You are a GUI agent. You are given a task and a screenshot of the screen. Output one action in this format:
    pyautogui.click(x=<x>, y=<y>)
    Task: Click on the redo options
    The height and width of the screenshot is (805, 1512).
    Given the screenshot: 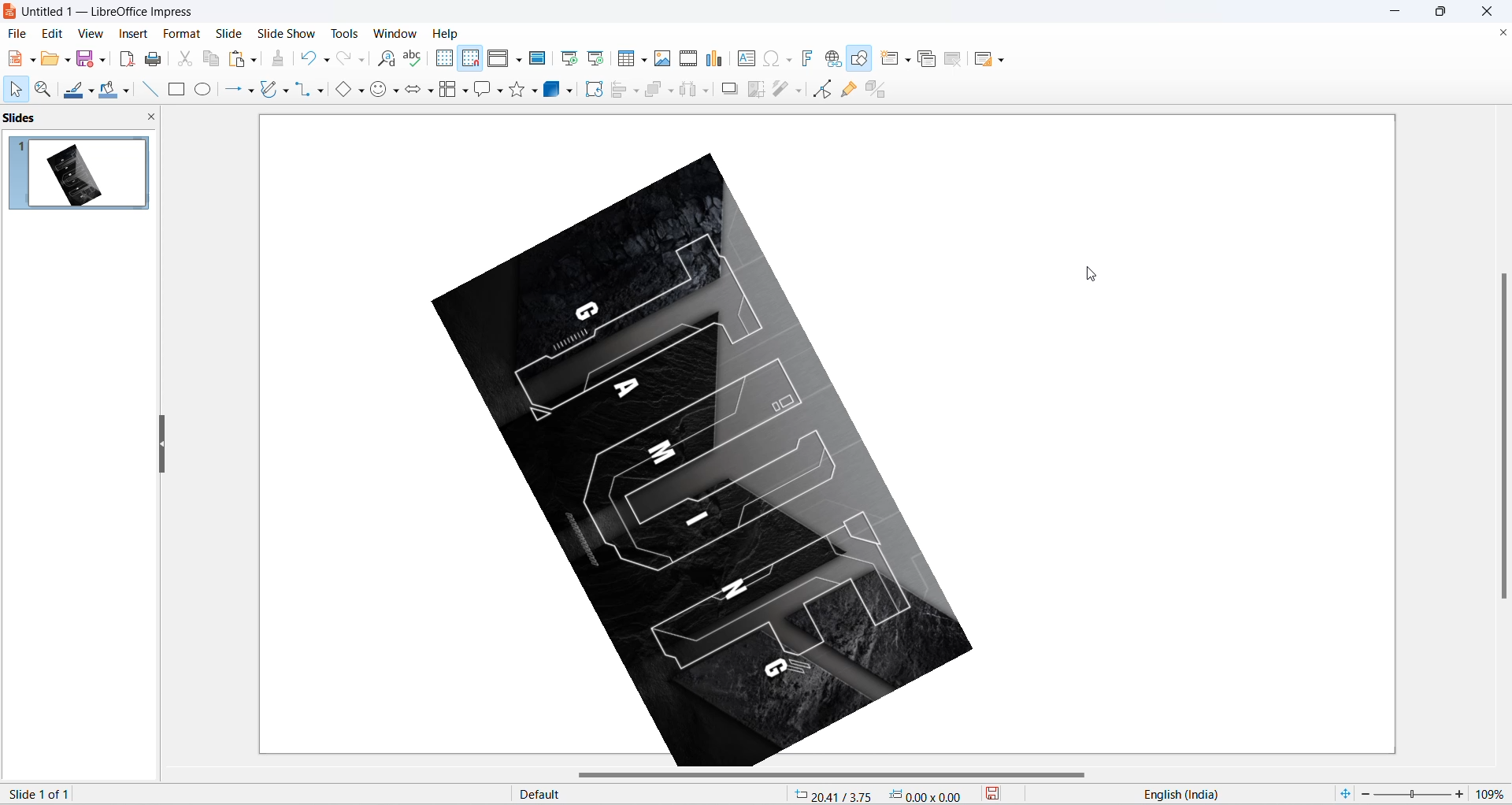 What is the action you would take?
    pyautogui.click(x=363, y=61)
    